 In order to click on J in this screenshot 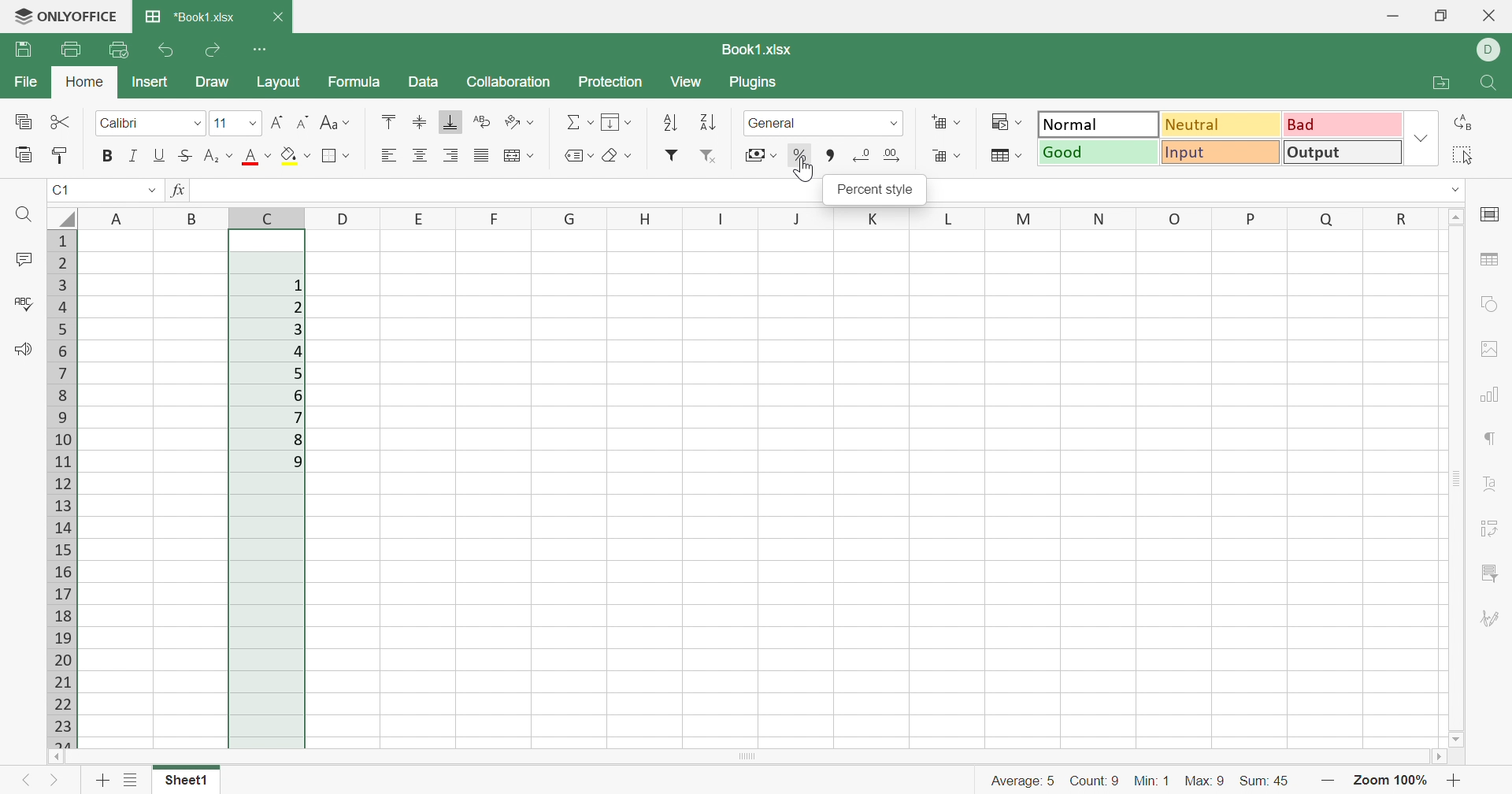, I will do `click(797, 219)`.